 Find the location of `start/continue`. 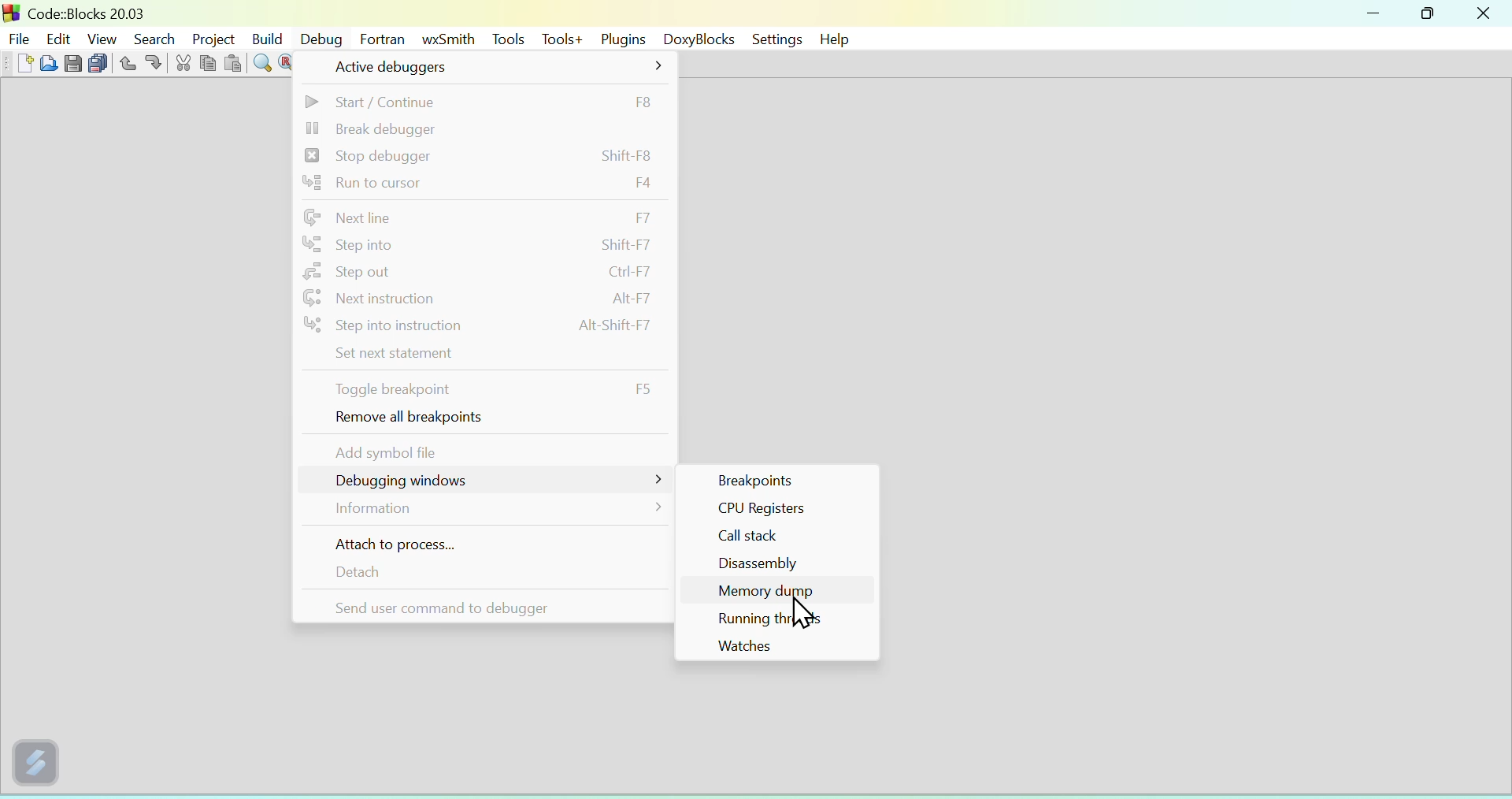

start/continue is located at coordinates (482, 100).